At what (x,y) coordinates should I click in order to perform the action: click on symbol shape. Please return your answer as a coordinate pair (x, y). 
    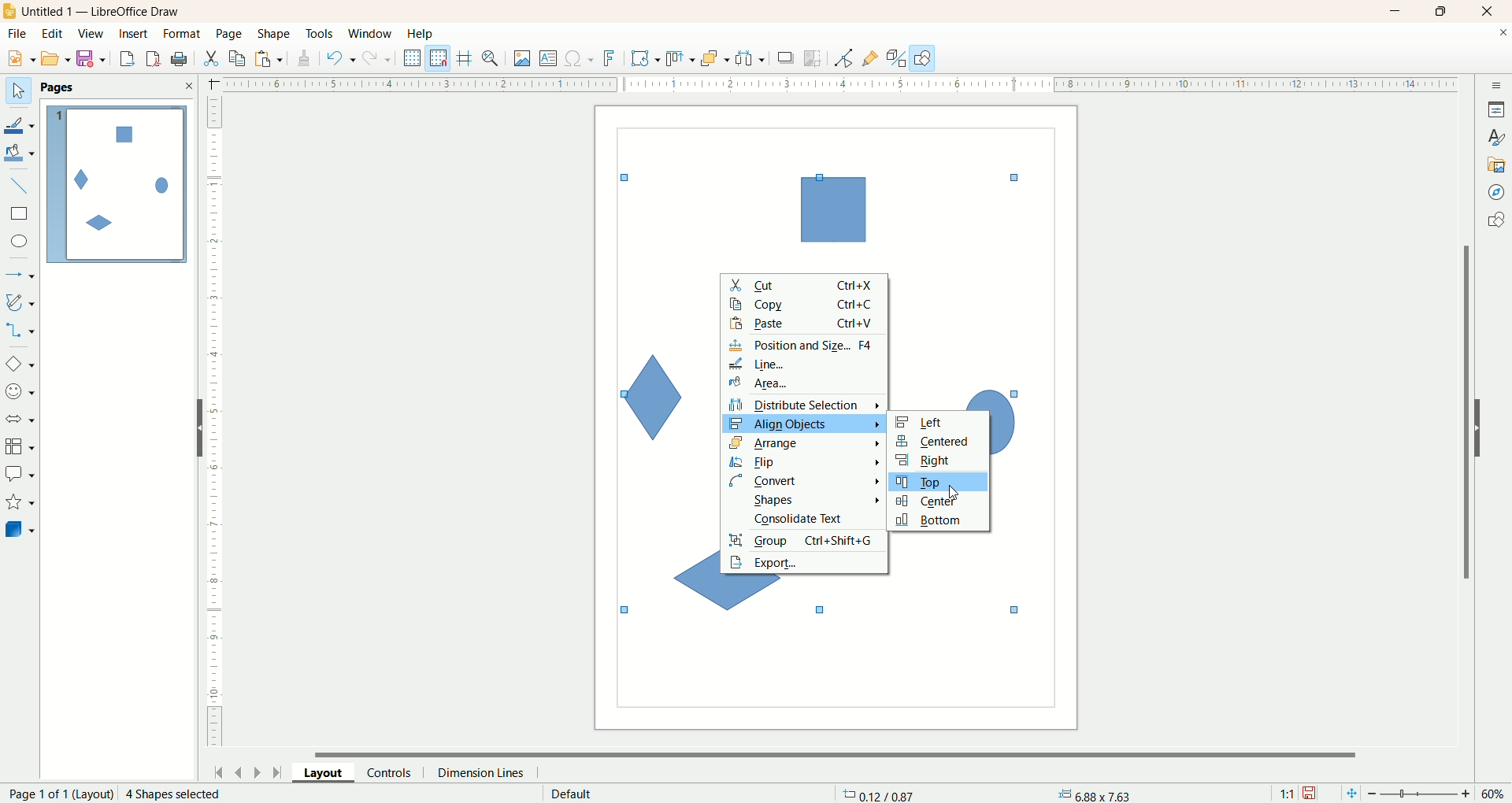
    Looking at the image, I should click on (22, 393).